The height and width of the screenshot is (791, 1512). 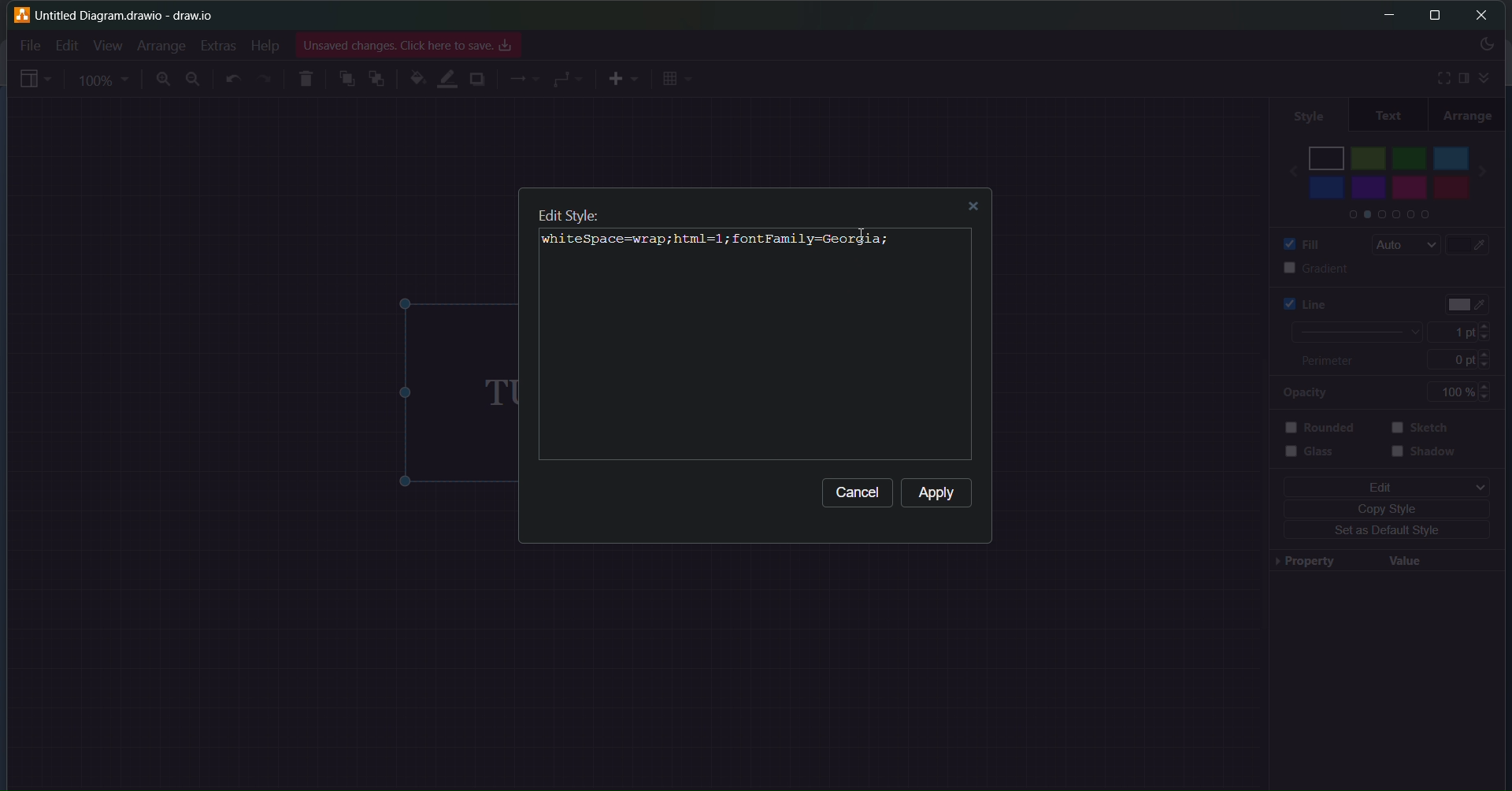 What do you see at coordinates (1371, 188) in the screenshot?
I see `purple` at bounding box center [1371, 188].